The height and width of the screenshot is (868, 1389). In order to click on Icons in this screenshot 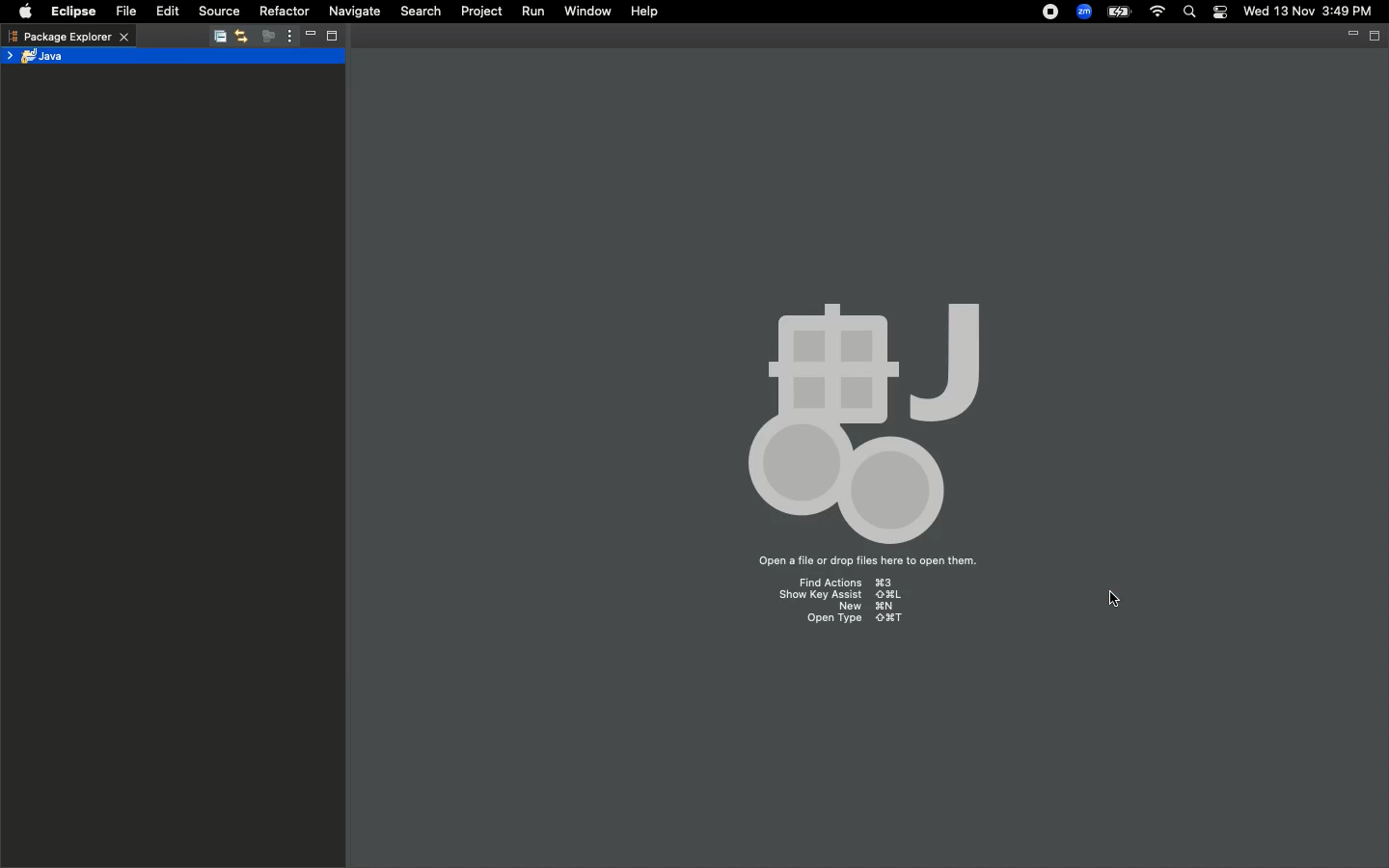, I will do `click(862, 424)`.